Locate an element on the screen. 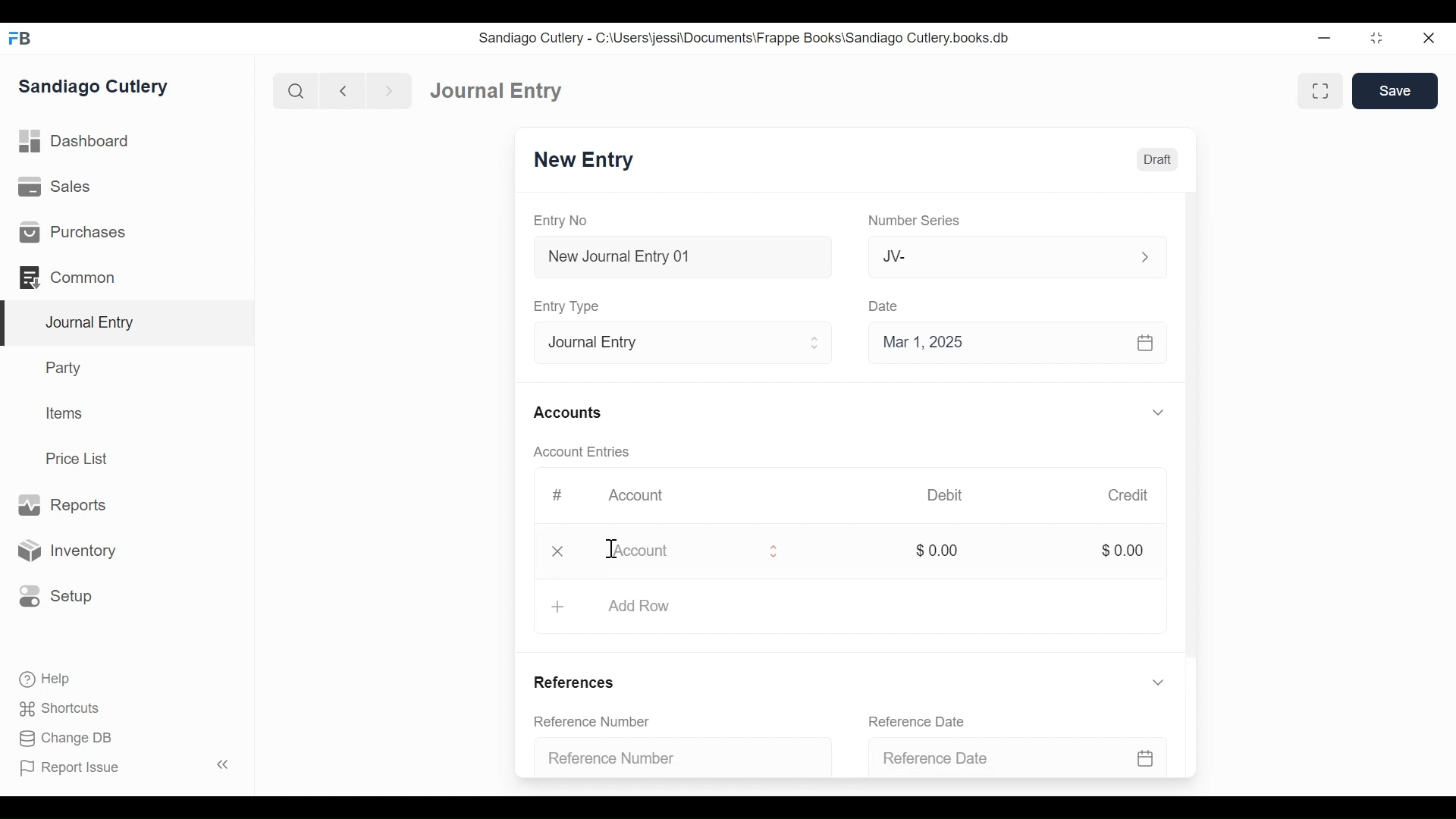  expand/collapse is located at coordinates (1157, 412).